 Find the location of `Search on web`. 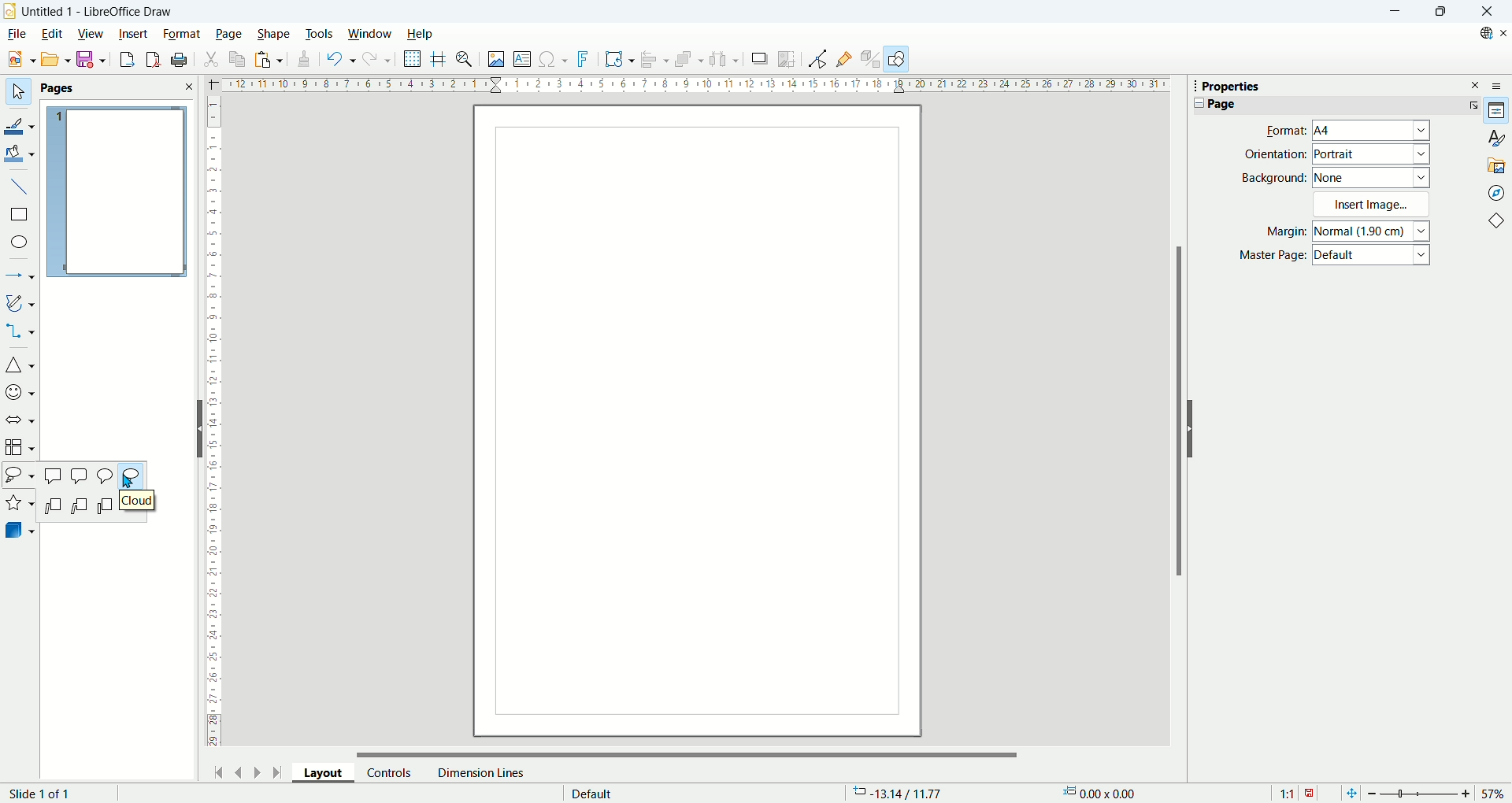

Search on web is located at coordinates (1480, 33).